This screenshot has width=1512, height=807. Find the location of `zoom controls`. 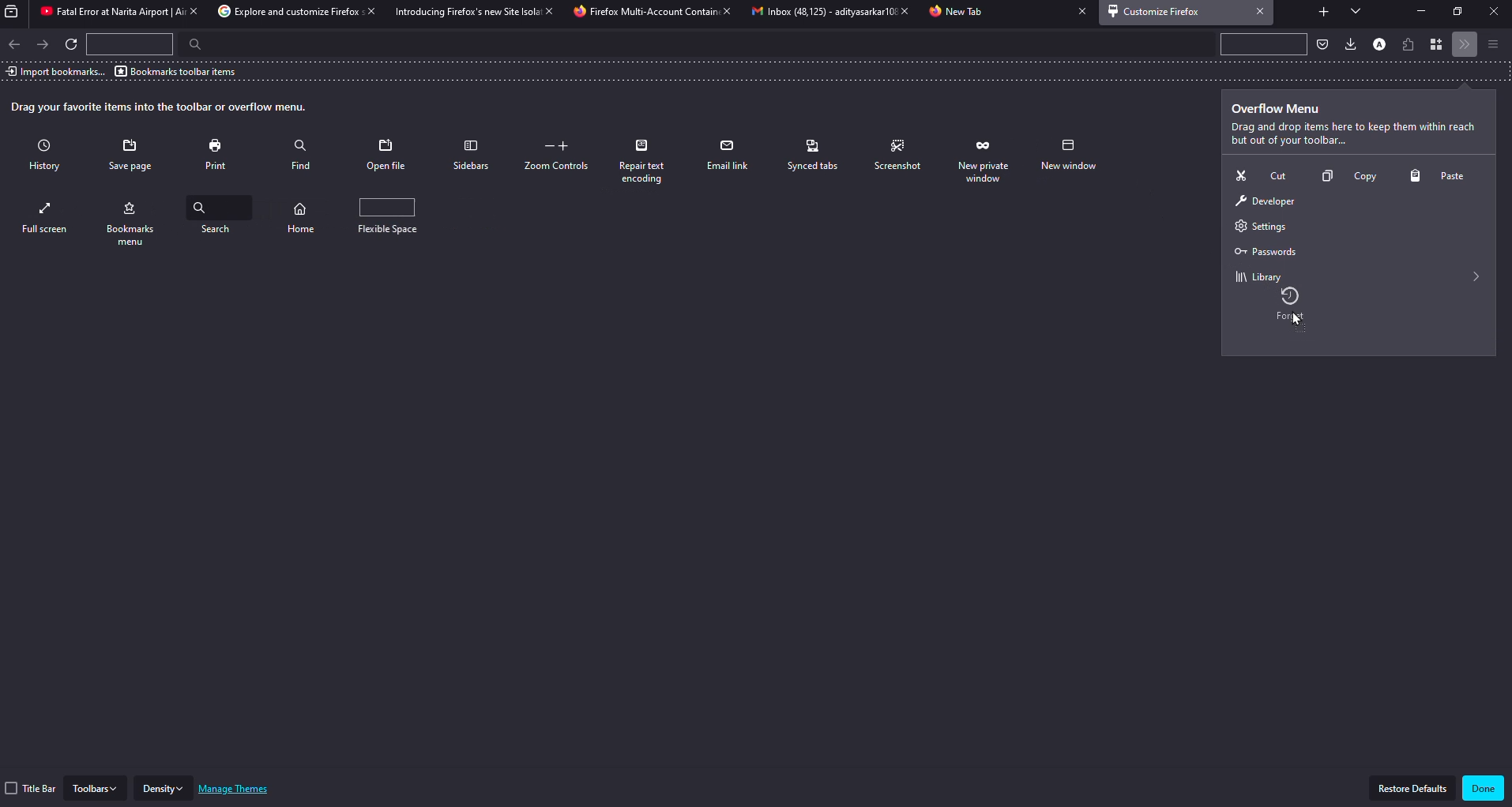

zoom controls is located at coordinates (559, 156).